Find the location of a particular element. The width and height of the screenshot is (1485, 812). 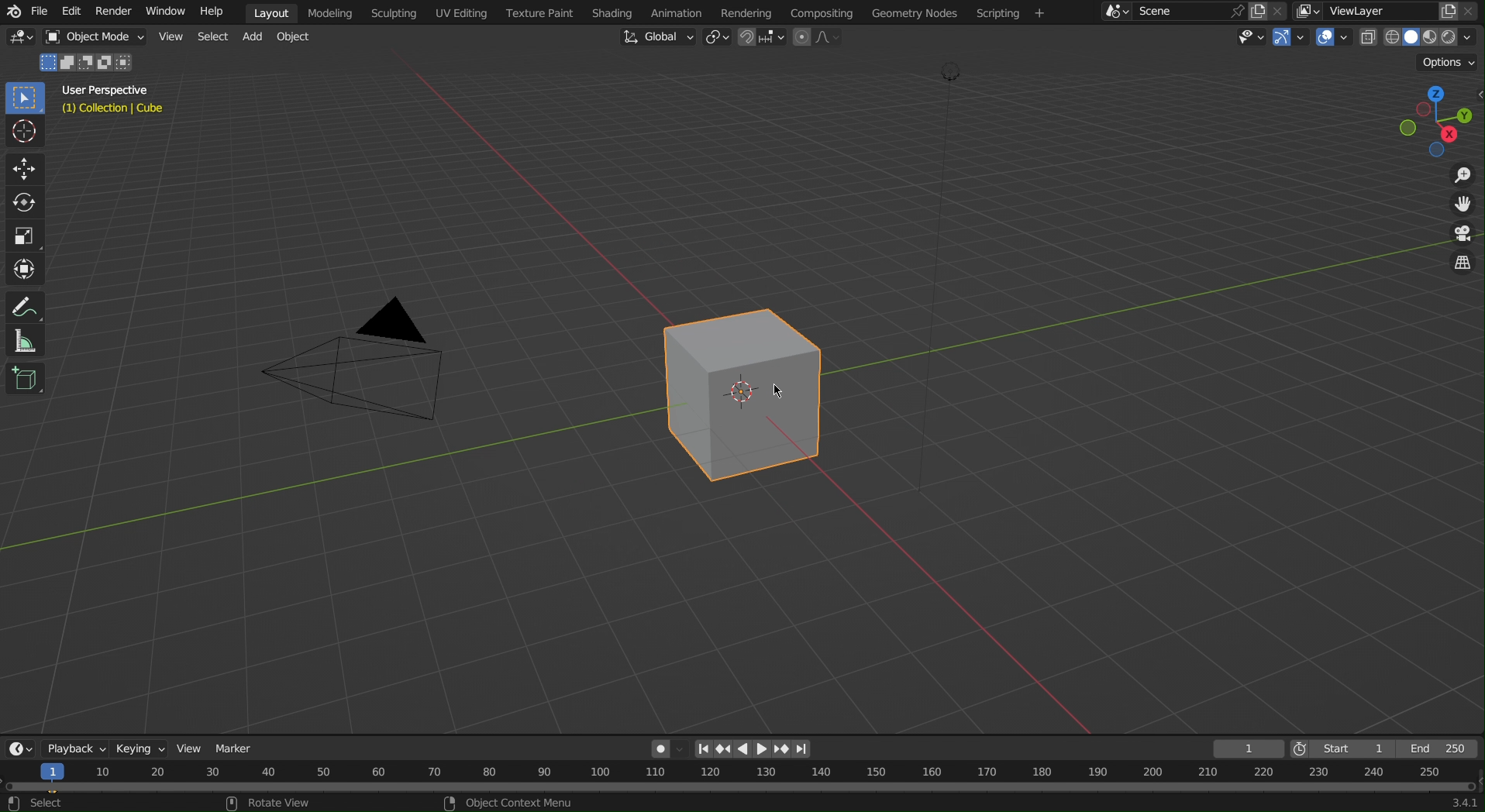

Viewport Shading is located at coordinates (1428, 36).